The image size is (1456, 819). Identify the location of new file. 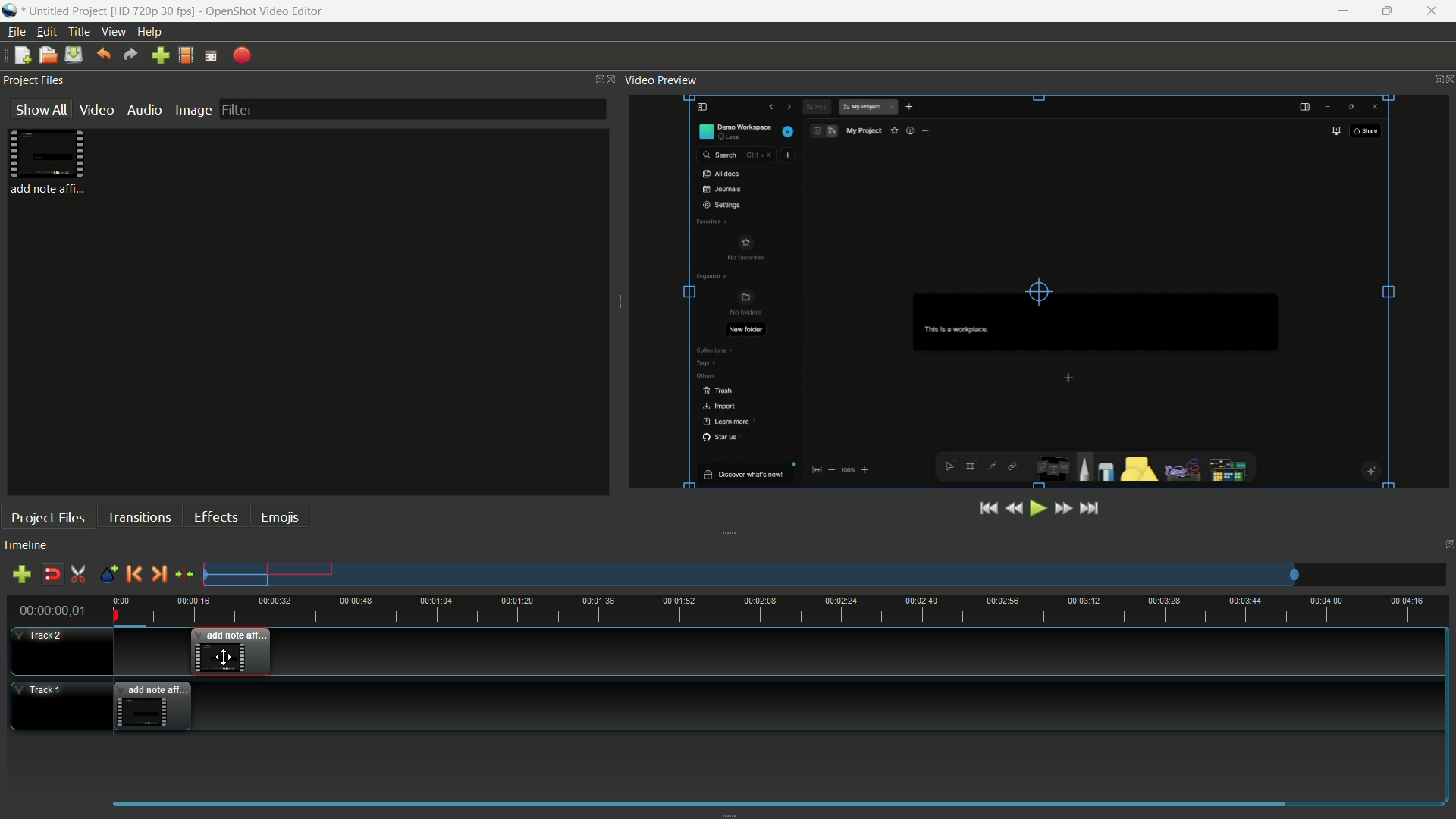
(23, 55).